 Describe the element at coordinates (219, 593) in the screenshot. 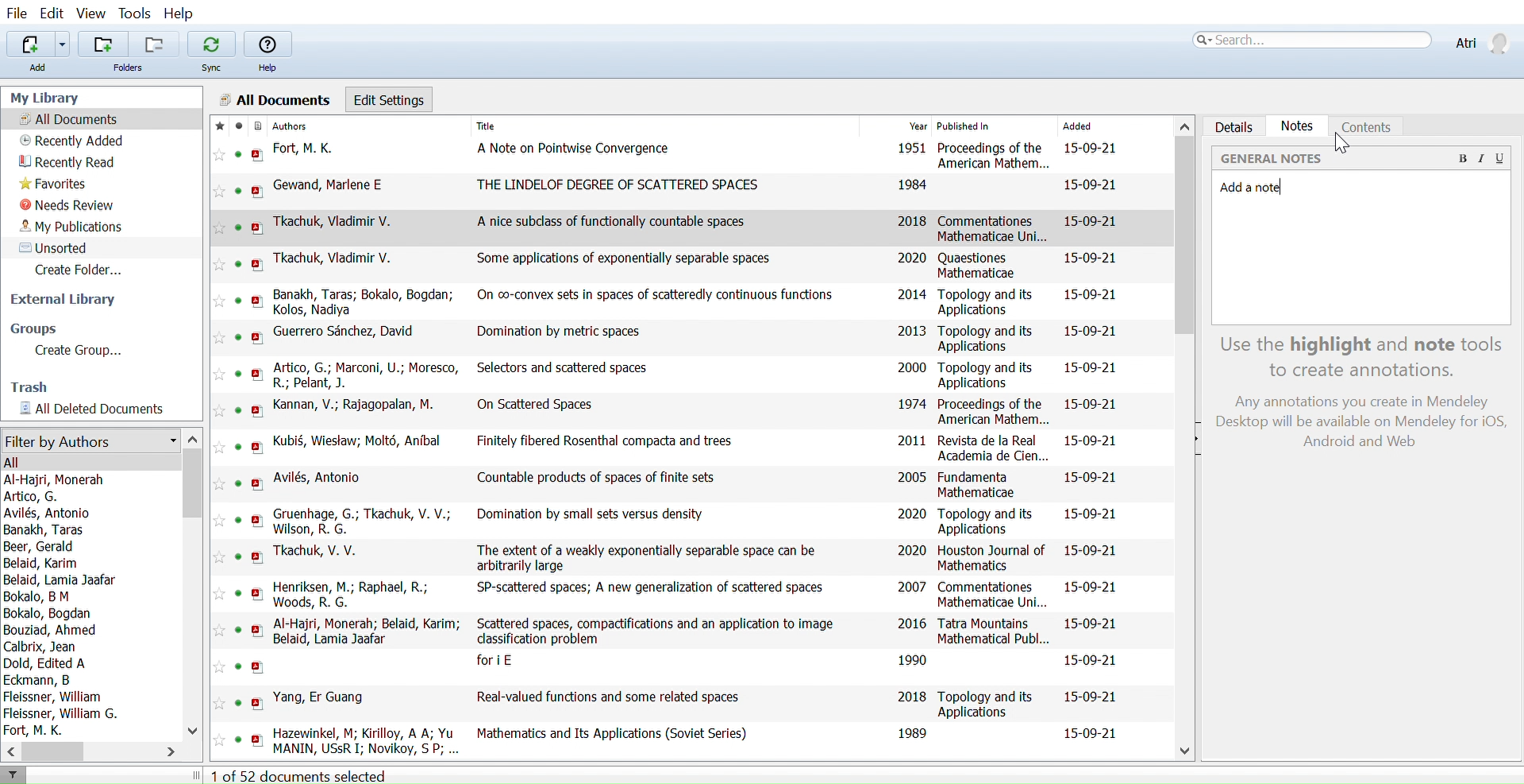

I see `Add this reference to favorites` at that location.